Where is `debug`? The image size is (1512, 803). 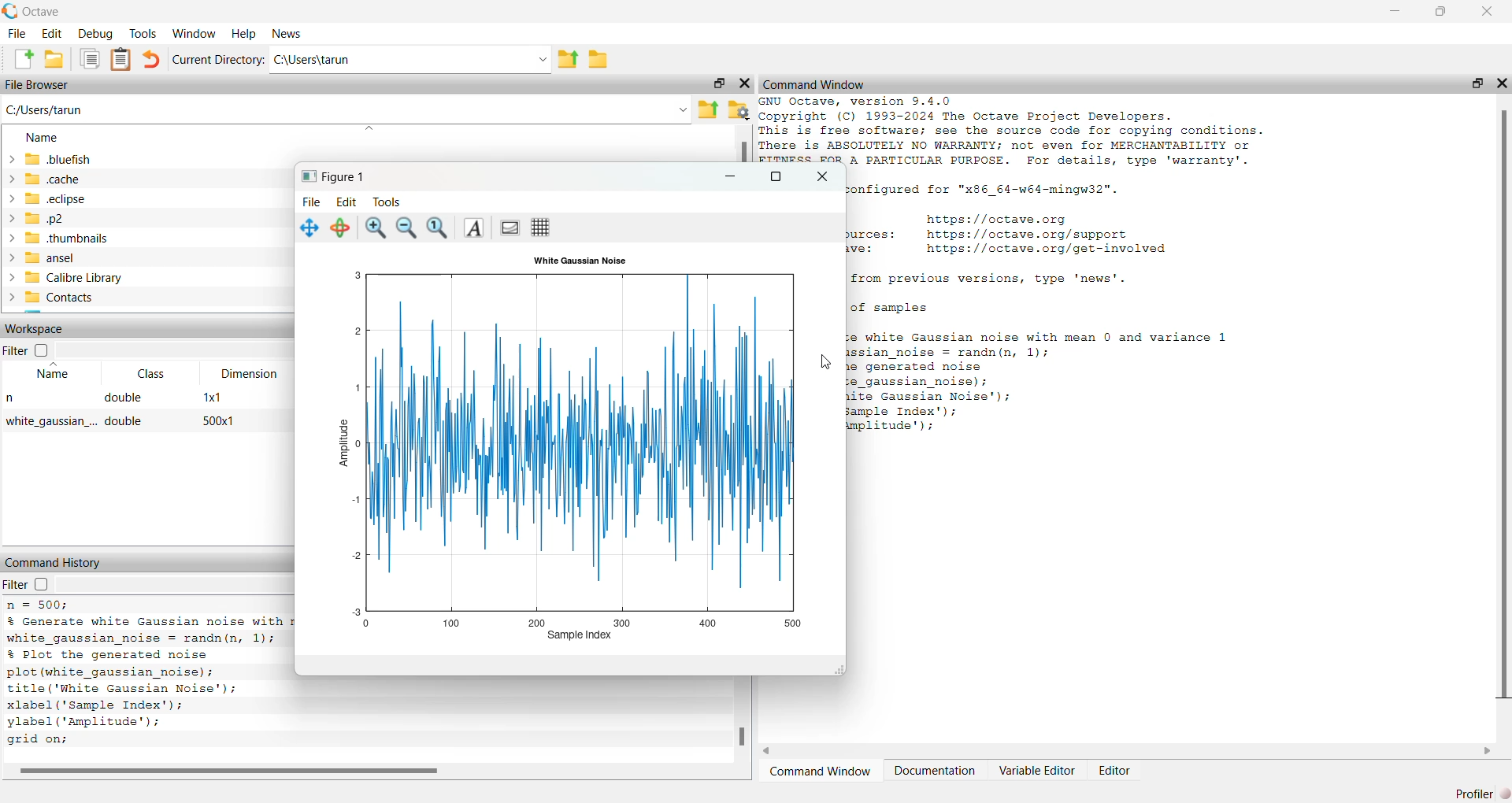
debug is located at coordinates (96, 34).